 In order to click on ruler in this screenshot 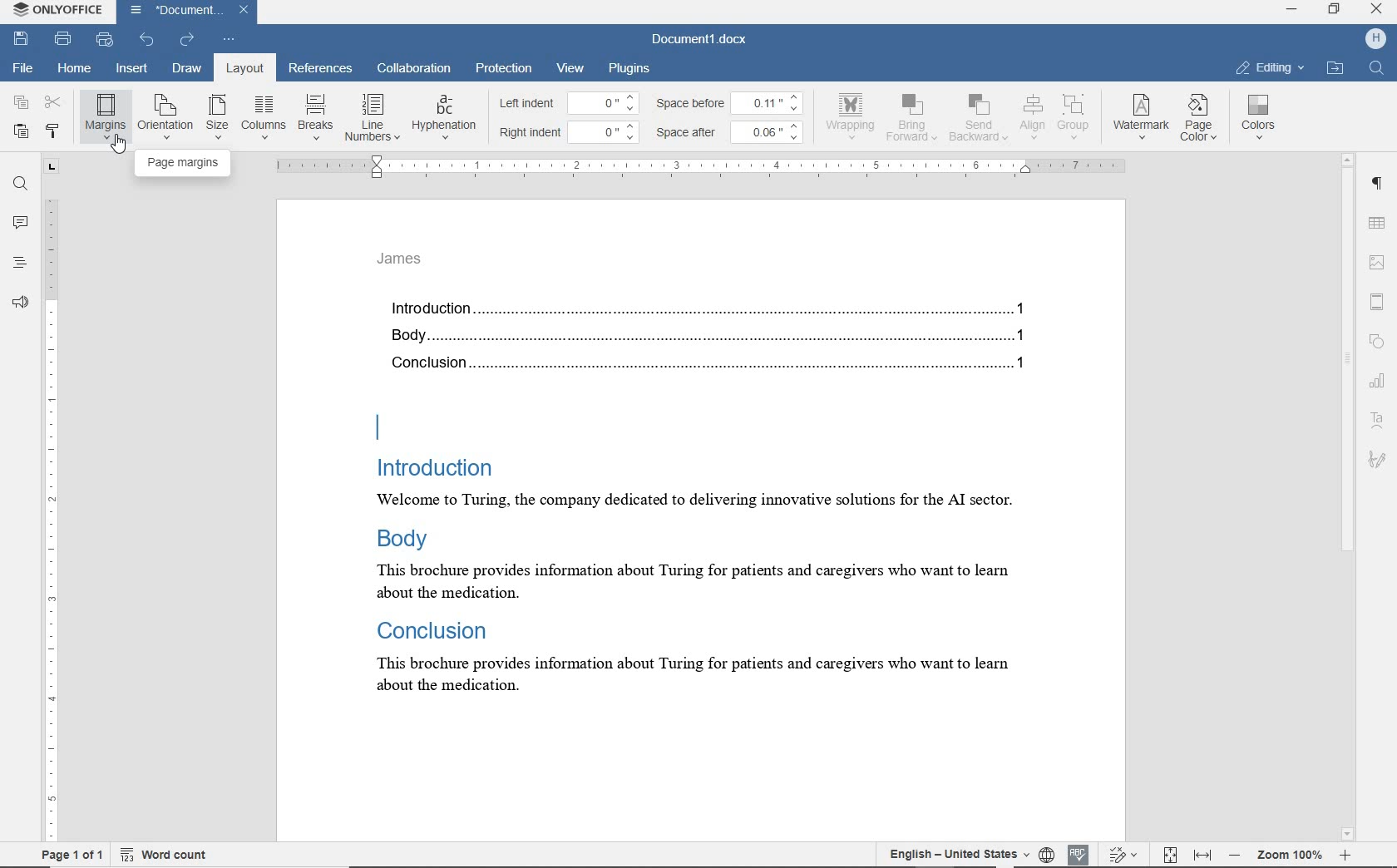, I will do `click(51, 499)`.